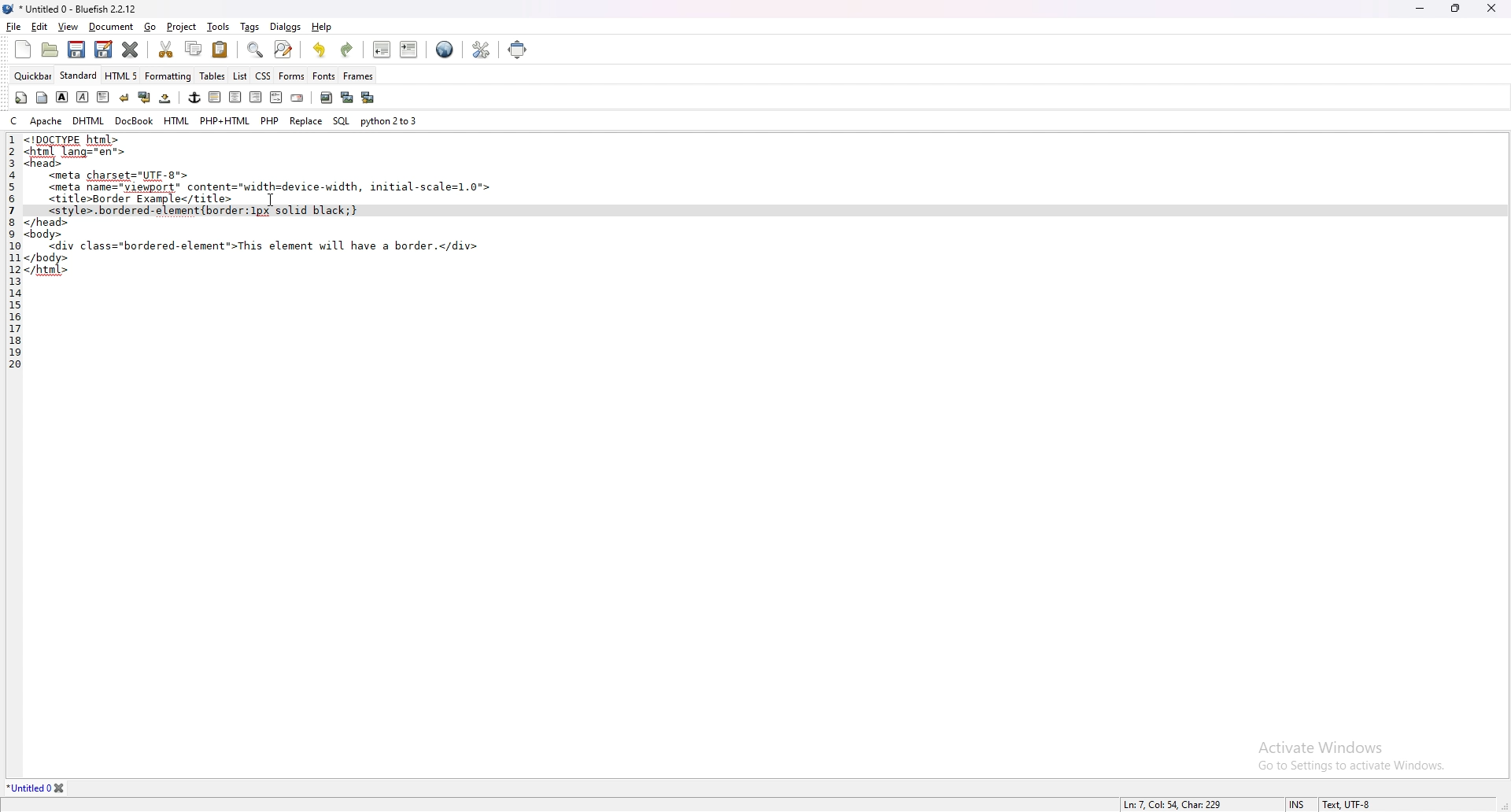 This screenshot has height=812, width=1511. Describe the element at coordinates (150, 27) in the screenshot. I see `go` at that location.